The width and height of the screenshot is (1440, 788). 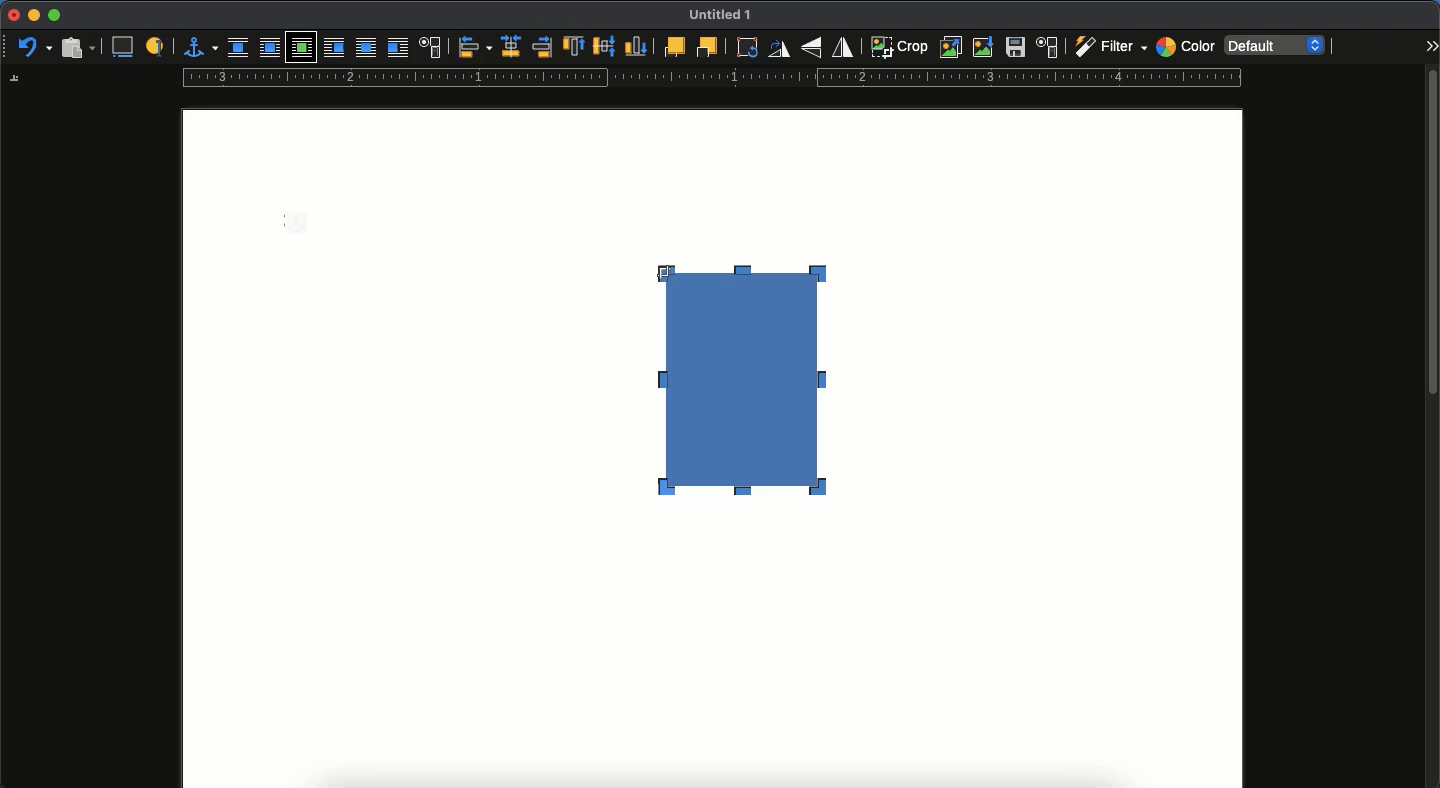 What do you see at coordinates (397, 50) in the screenshot?
I see `after` at bounding box center [397, 50].